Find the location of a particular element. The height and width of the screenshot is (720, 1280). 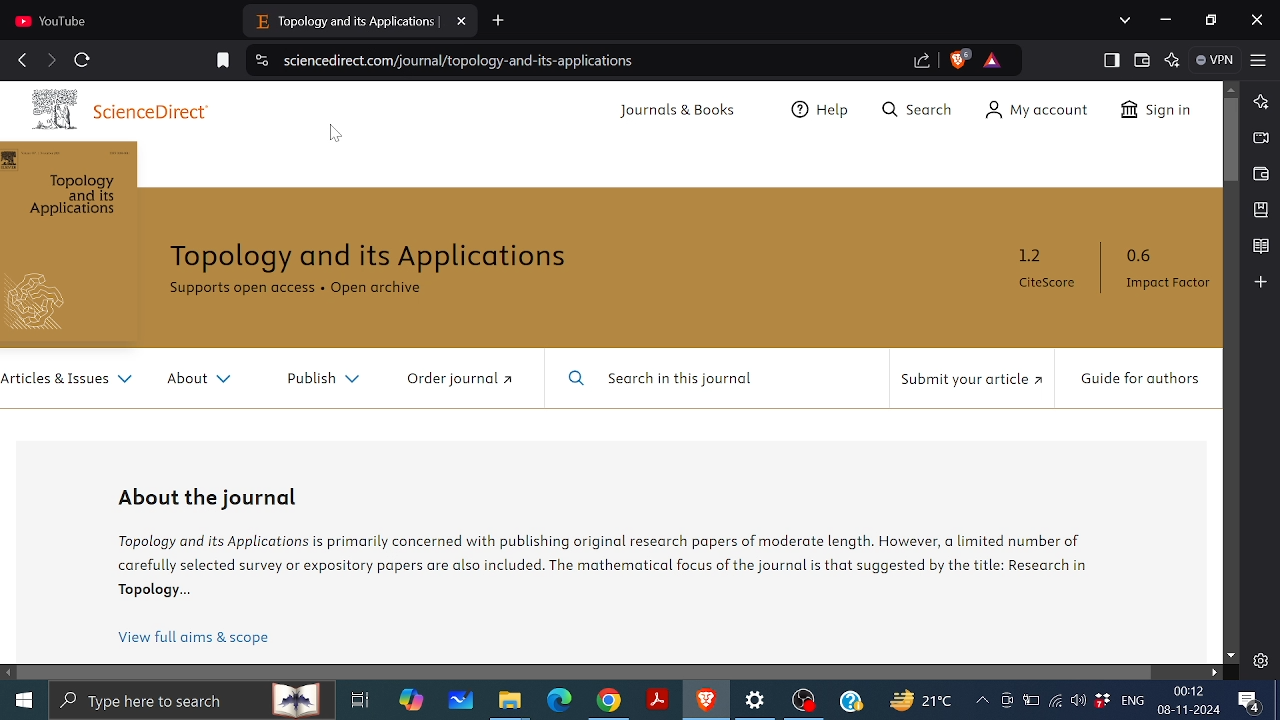

Help is located at coordinates (851, 700).